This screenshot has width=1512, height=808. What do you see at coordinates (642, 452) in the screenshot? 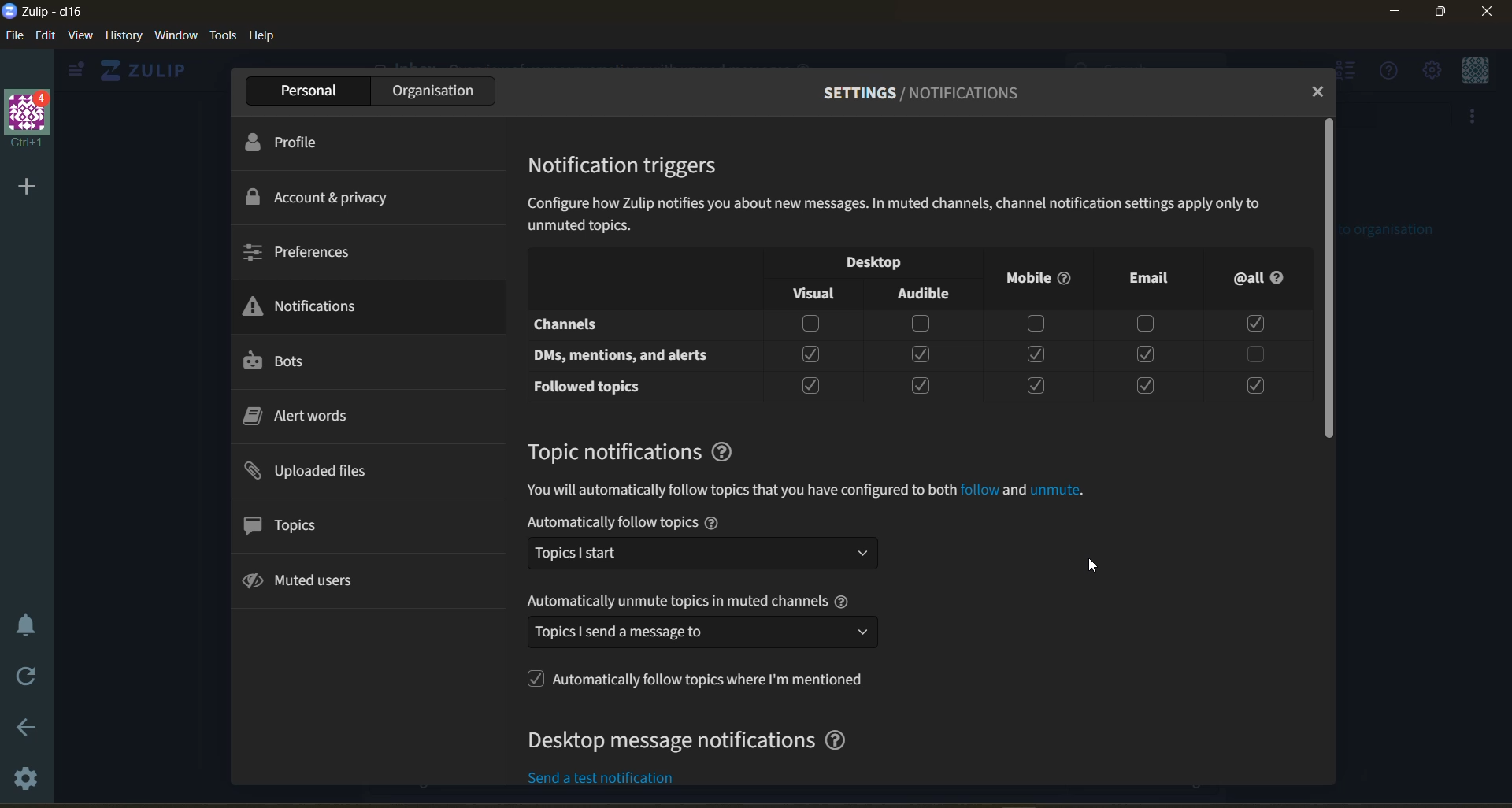
I see `topic notifications` at bounding box center [642, 452].